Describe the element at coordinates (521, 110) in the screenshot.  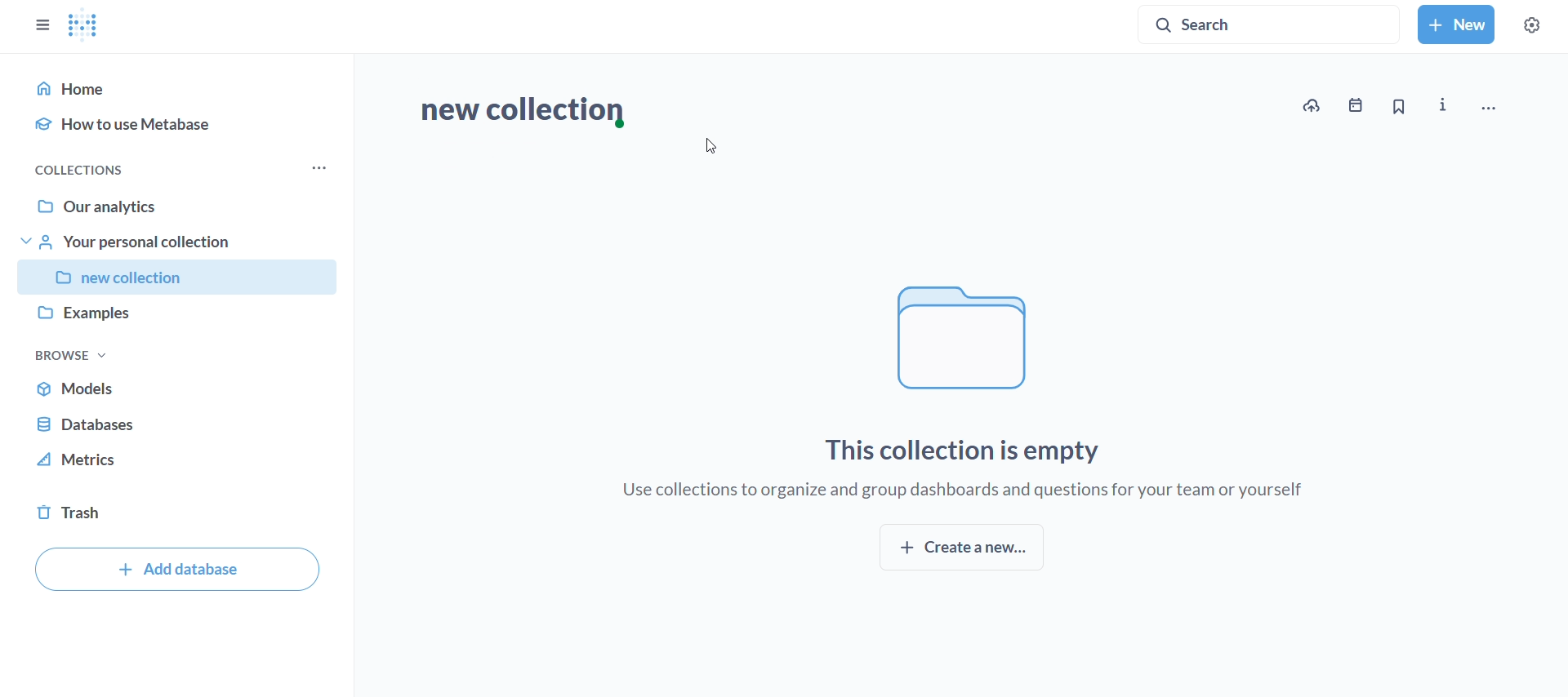
I see `new collection` at that location.